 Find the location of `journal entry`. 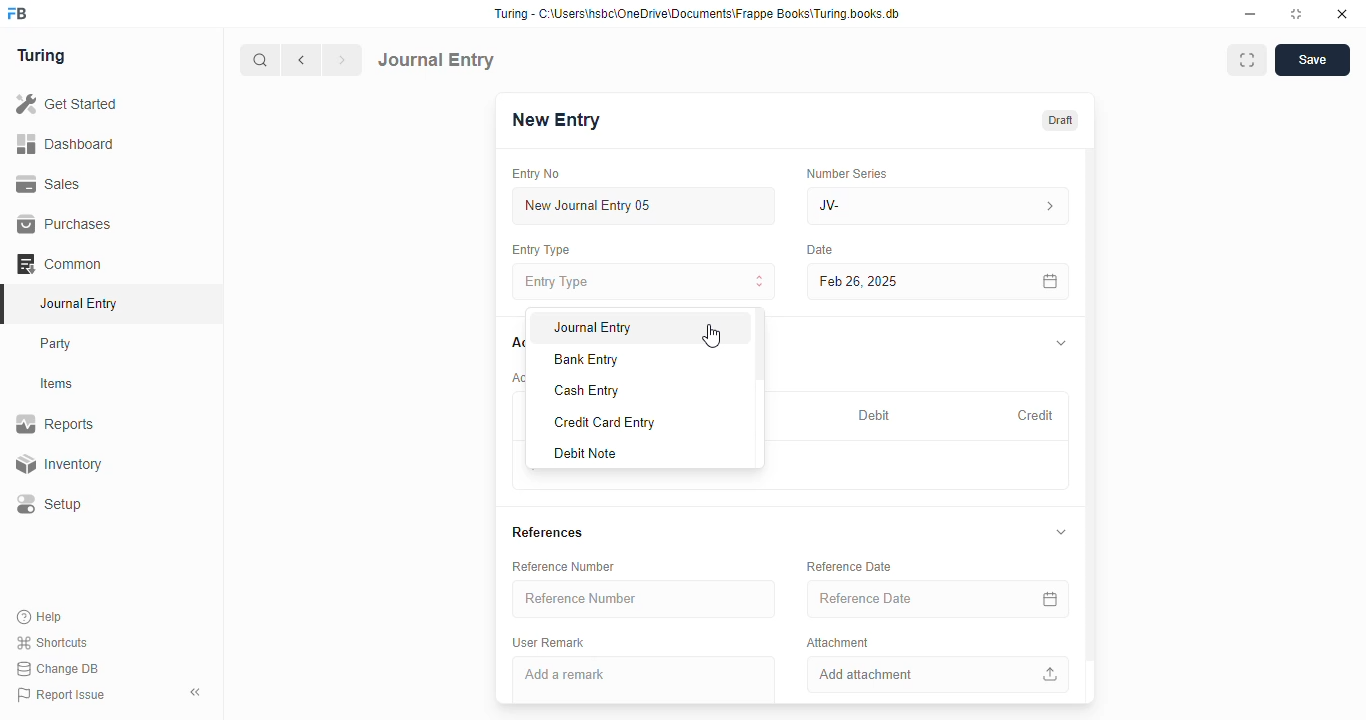

journal entry is located at coordinates (593, 329).